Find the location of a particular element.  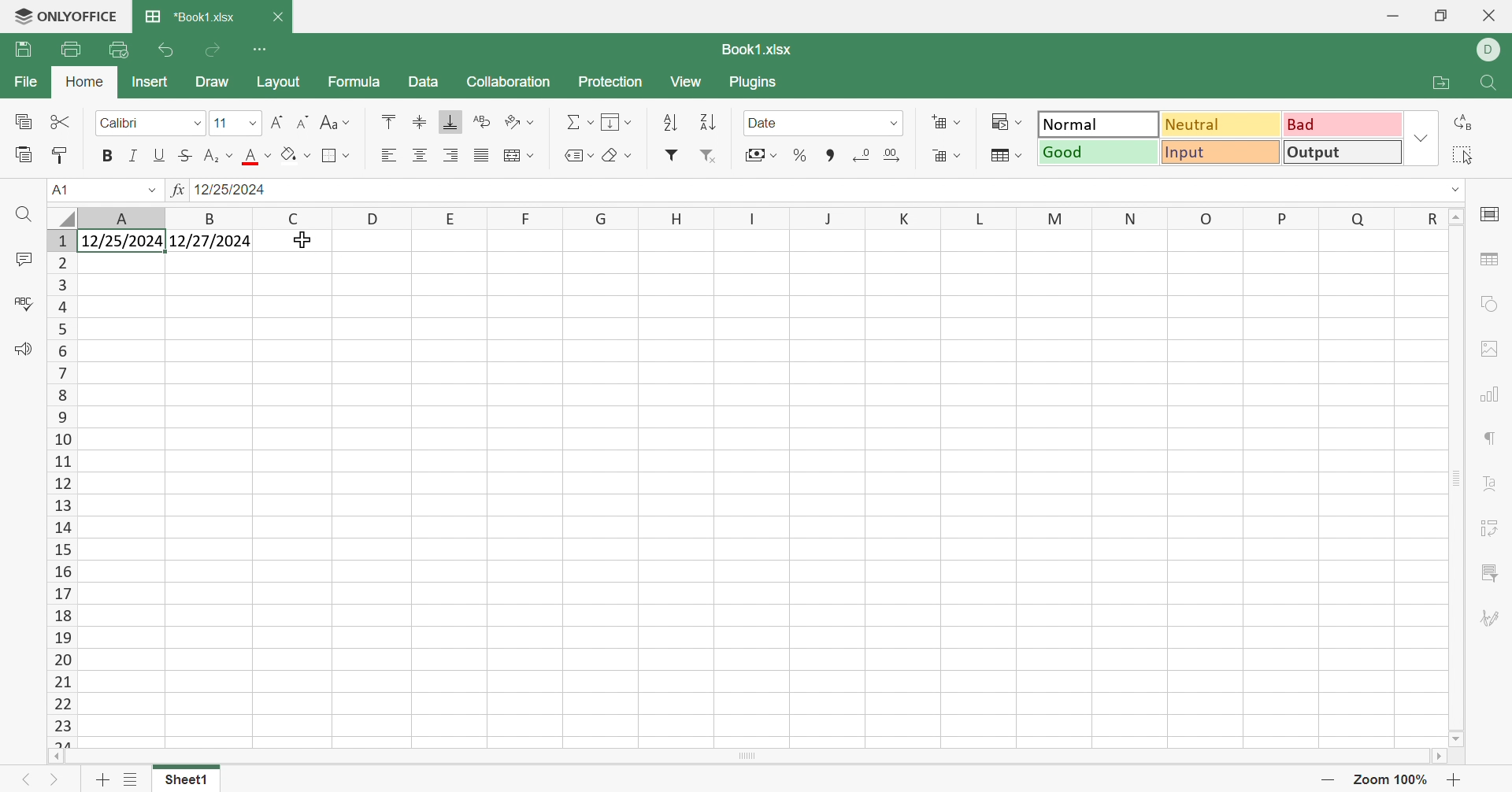

Replace is located at coordinates (1466, 123).